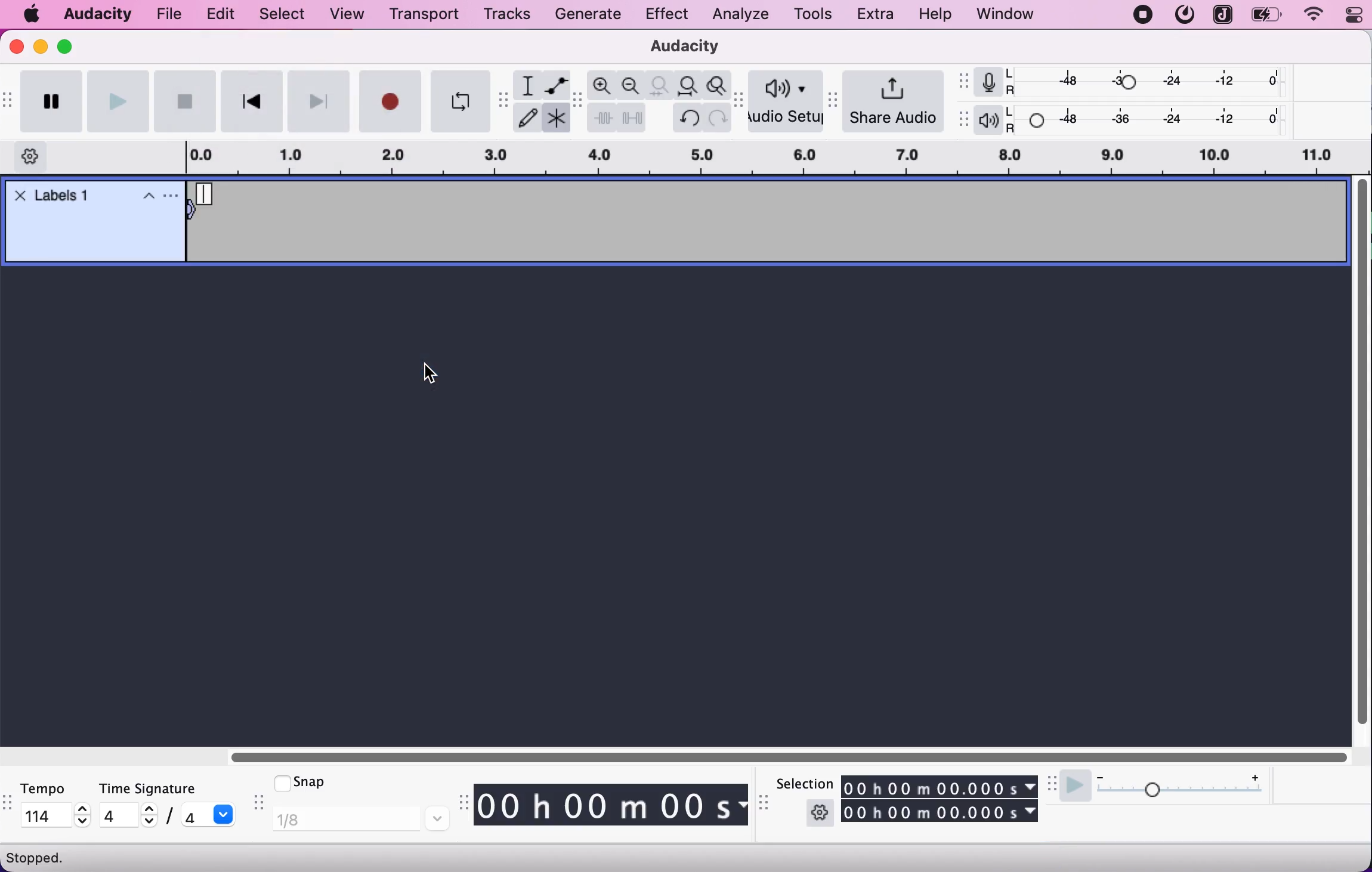 This screenshot has width=1372, height=872. What do you see at coordinates (684, 45) in the screenshot?
I see `audacity` at bounding box center [684, 45].